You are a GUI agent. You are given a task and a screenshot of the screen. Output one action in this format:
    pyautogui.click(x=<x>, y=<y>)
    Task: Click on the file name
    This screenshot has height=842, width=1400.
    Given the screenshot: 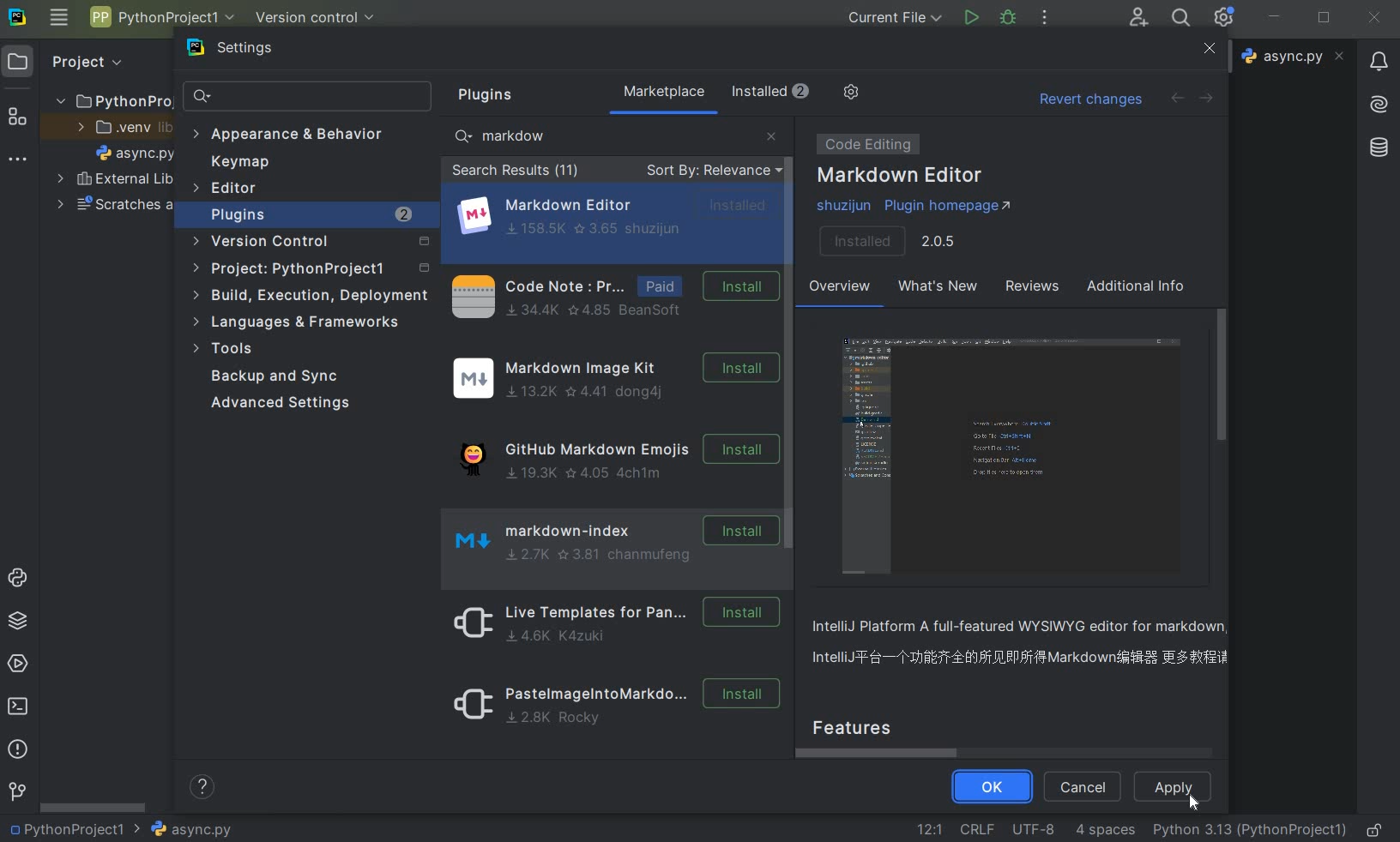 What is the action you would take?
    pyautogui.click(x=190, y=829)
    